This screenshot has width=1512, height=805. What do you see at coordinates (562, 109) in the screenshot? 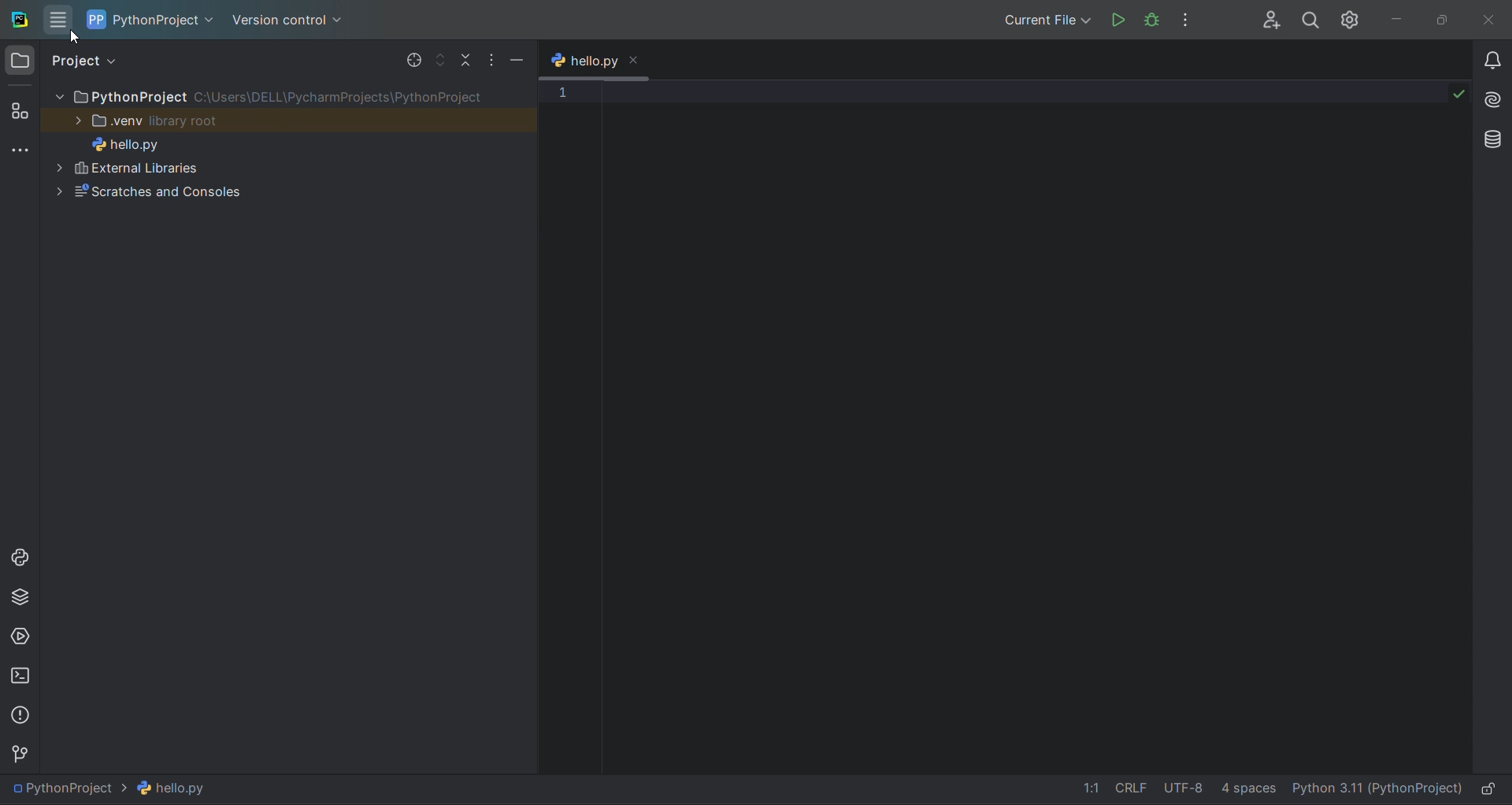
I see `line number` at bounding box center [562, 109].